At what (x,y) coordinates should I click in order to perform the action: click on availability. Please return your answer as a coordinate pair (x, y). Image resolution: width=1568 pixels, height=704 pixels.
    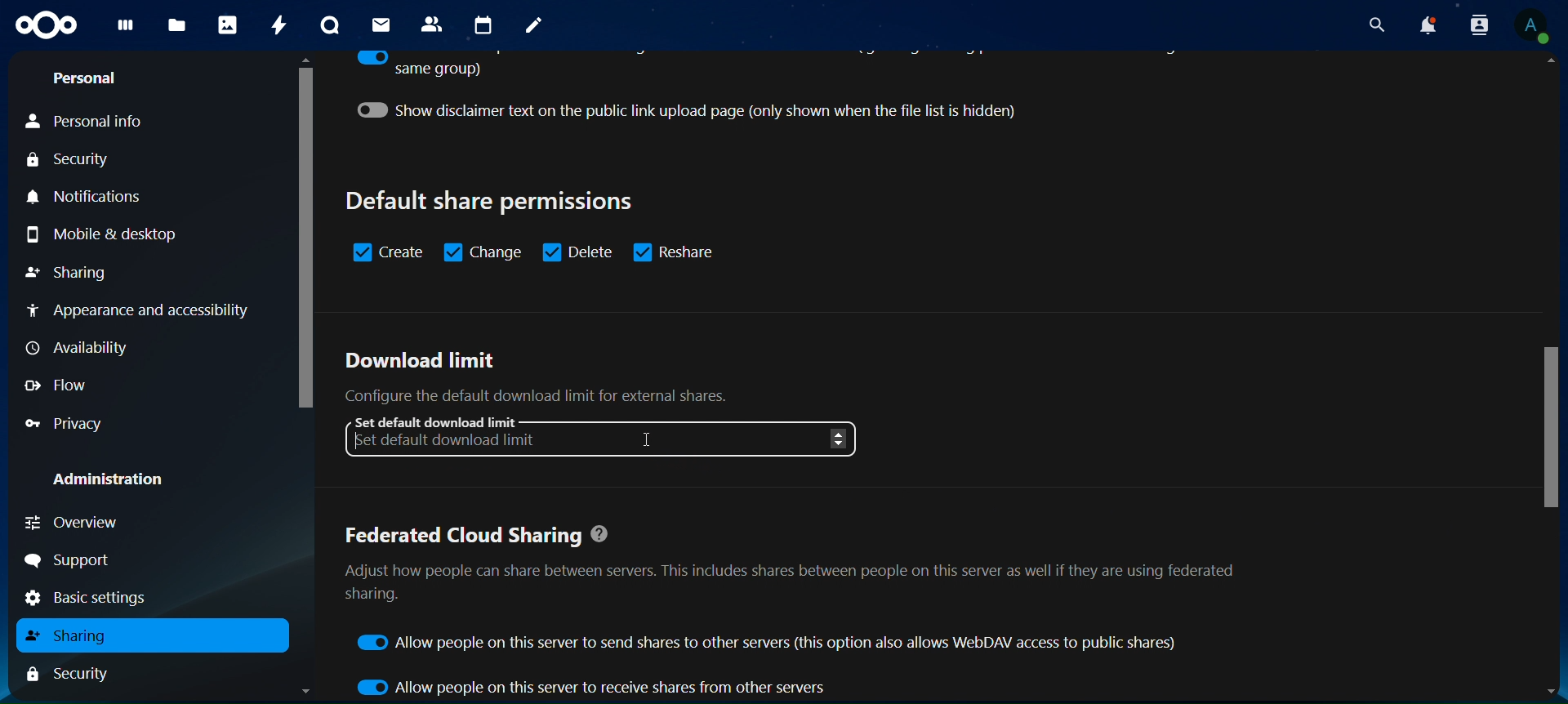
    Looking at the image, I should click on (82, 348).